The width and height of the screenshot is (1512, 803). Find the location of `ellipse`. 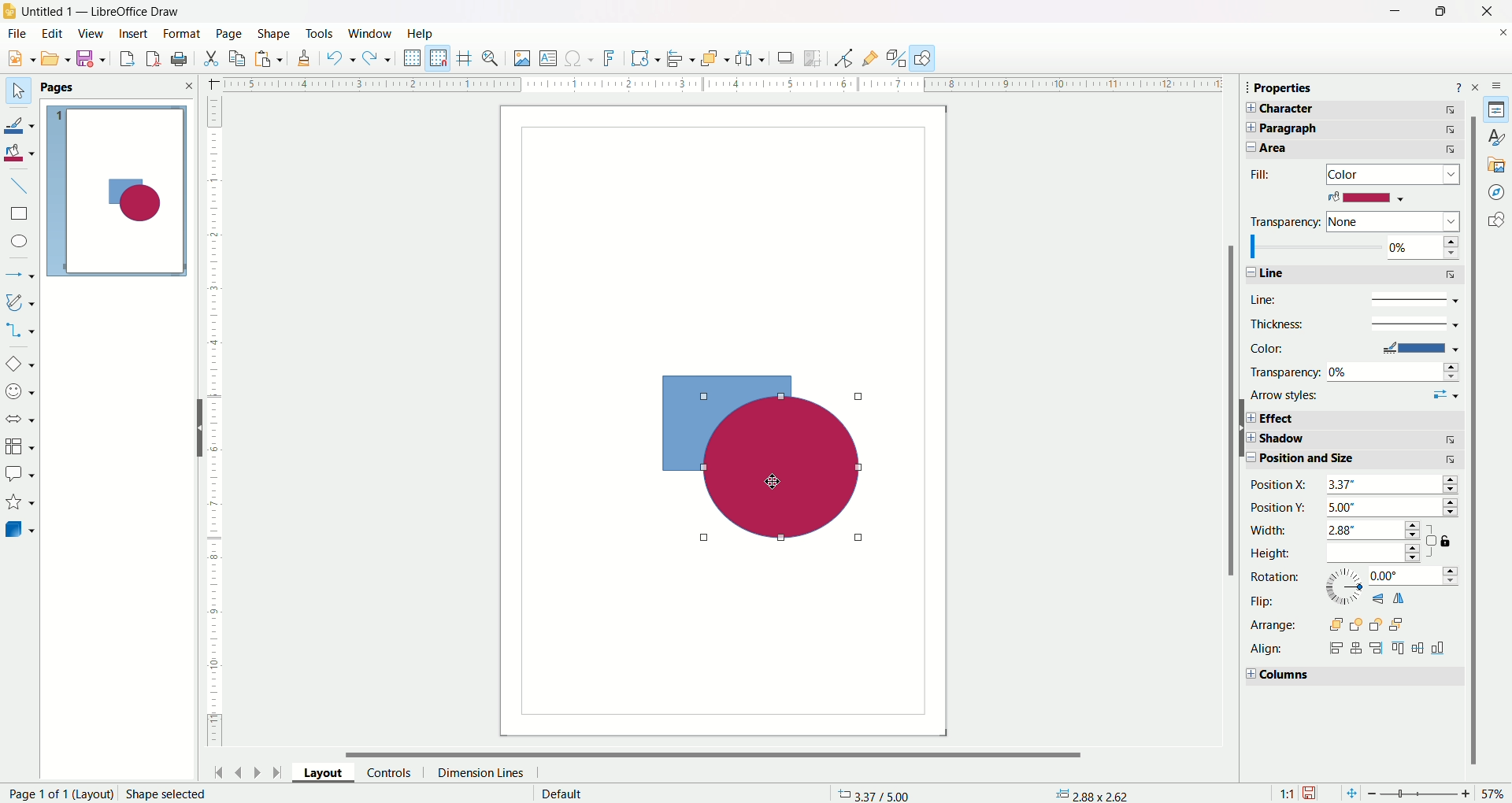

ellipse is located at coordinates (18, 242).